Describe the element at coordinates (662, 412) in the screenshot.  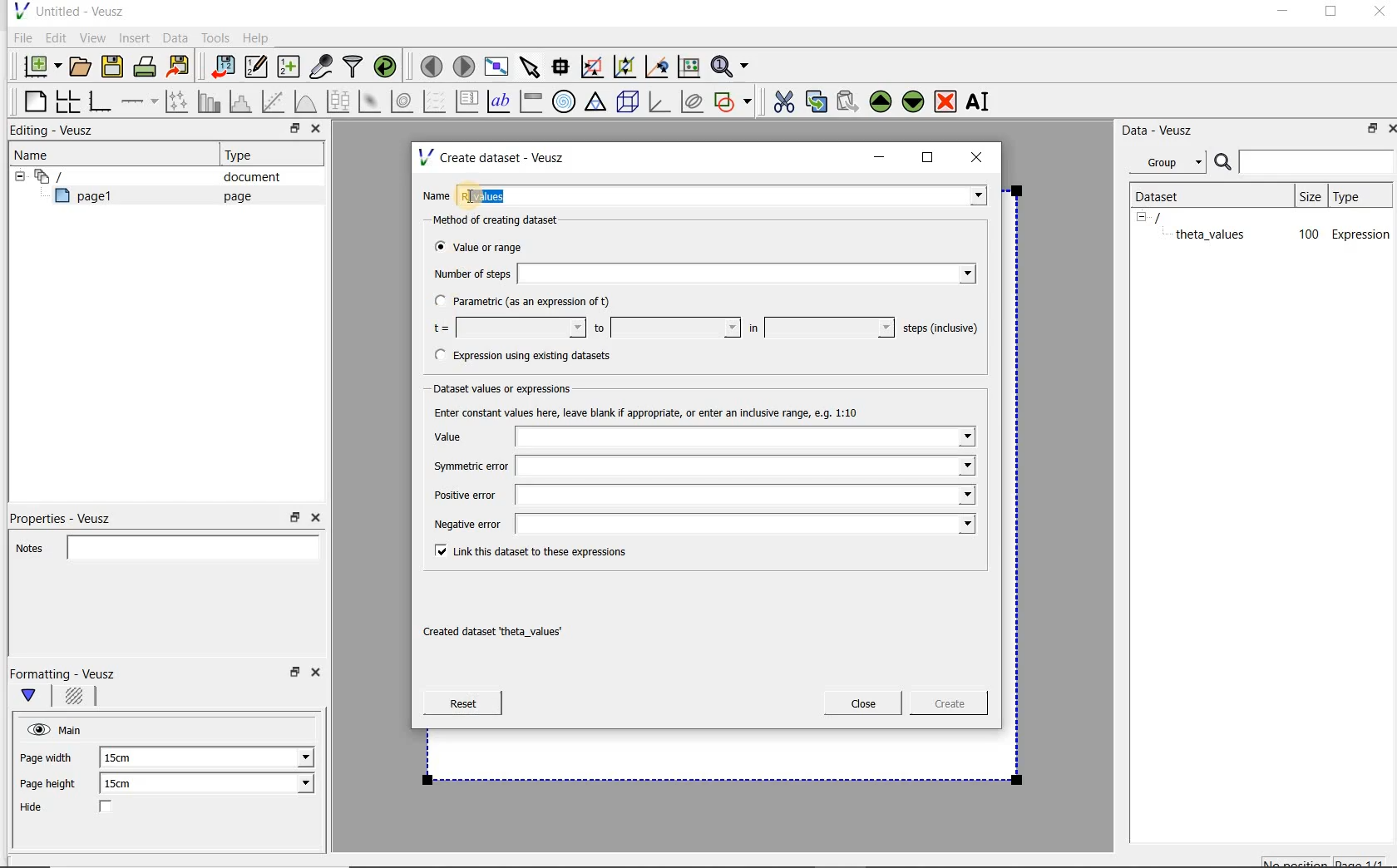
I see `Enter constant values here, leave blank if appropriate, or enter an inclusive range, e.g. 1:10` at that location.